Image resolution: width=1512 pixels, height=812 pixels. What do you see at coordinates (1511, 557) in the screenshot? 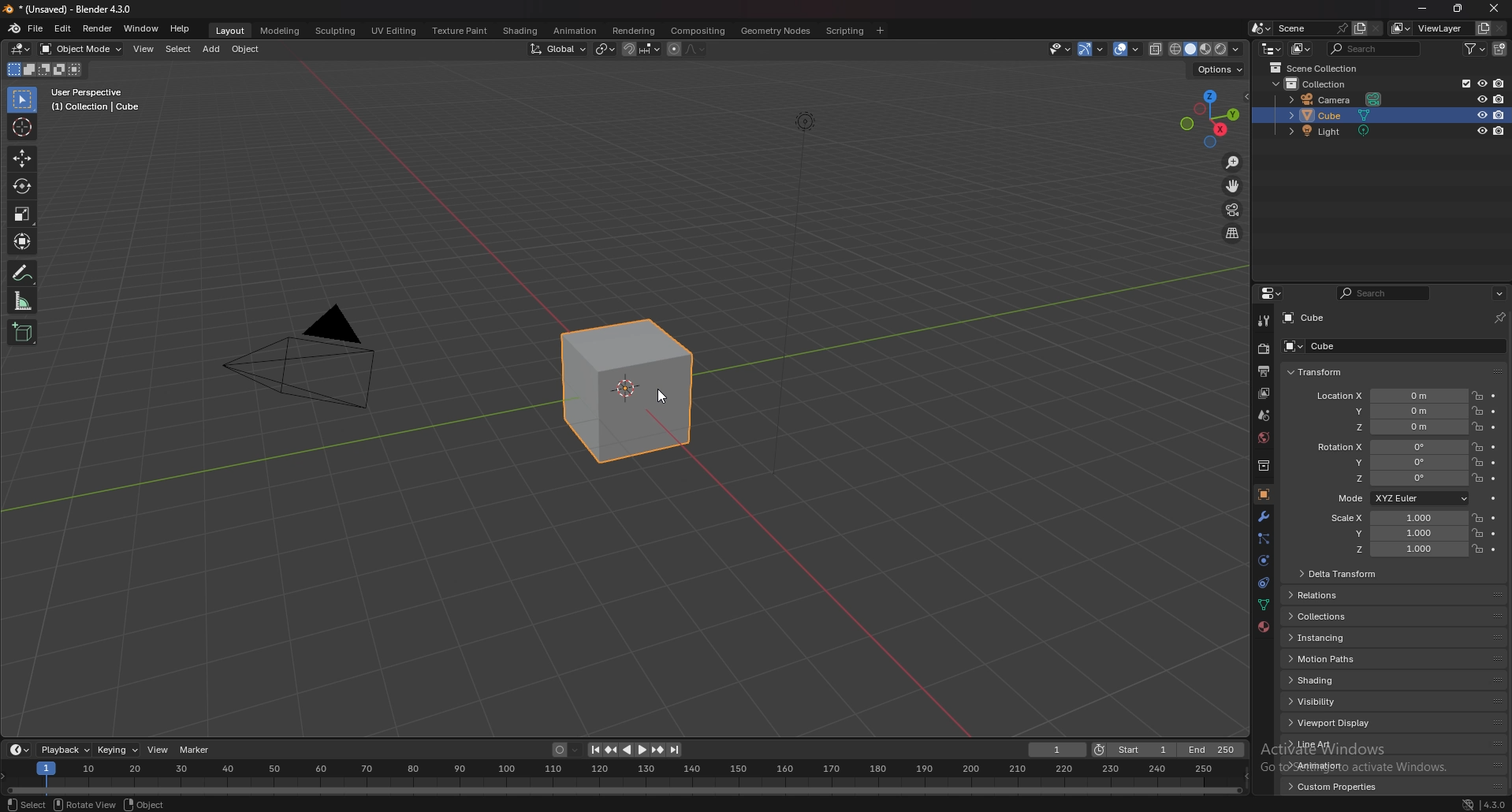
I see `scroll bar` at bounding box center [1511, 557].